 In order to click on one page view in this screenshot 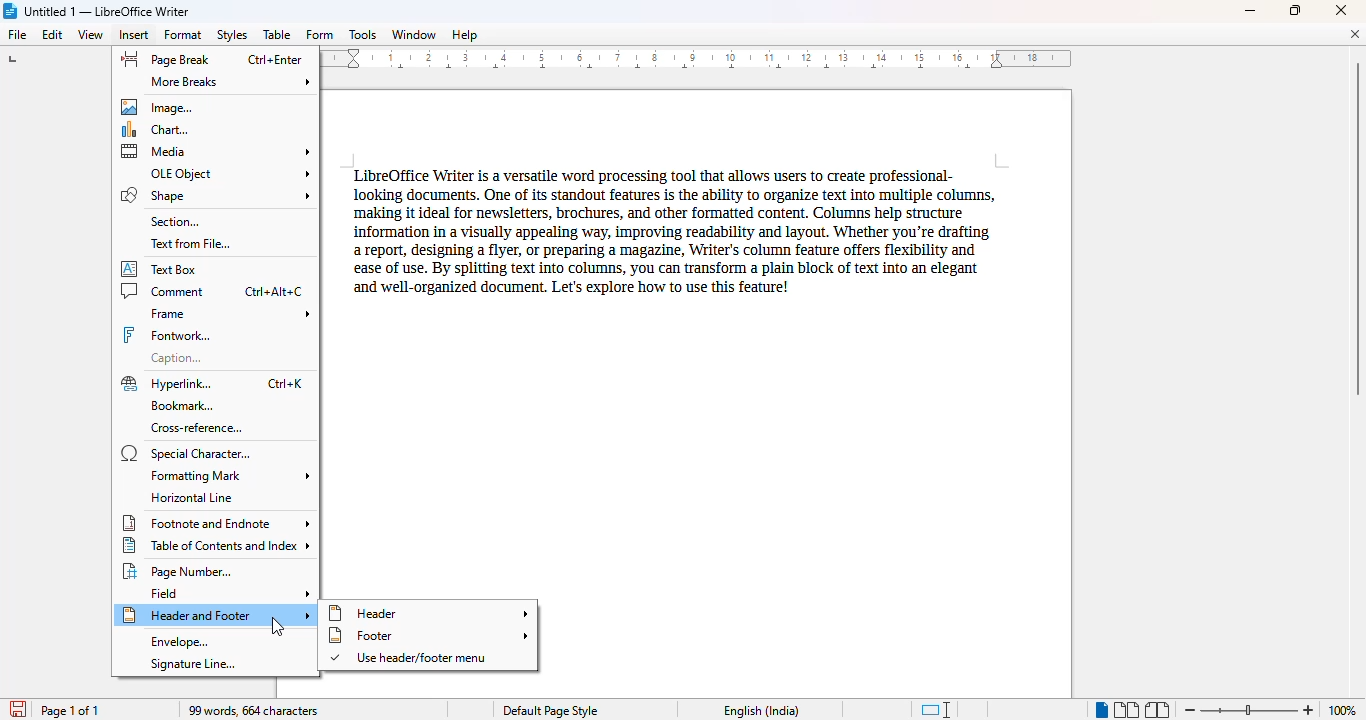, I will do `click(1097, 709)`.